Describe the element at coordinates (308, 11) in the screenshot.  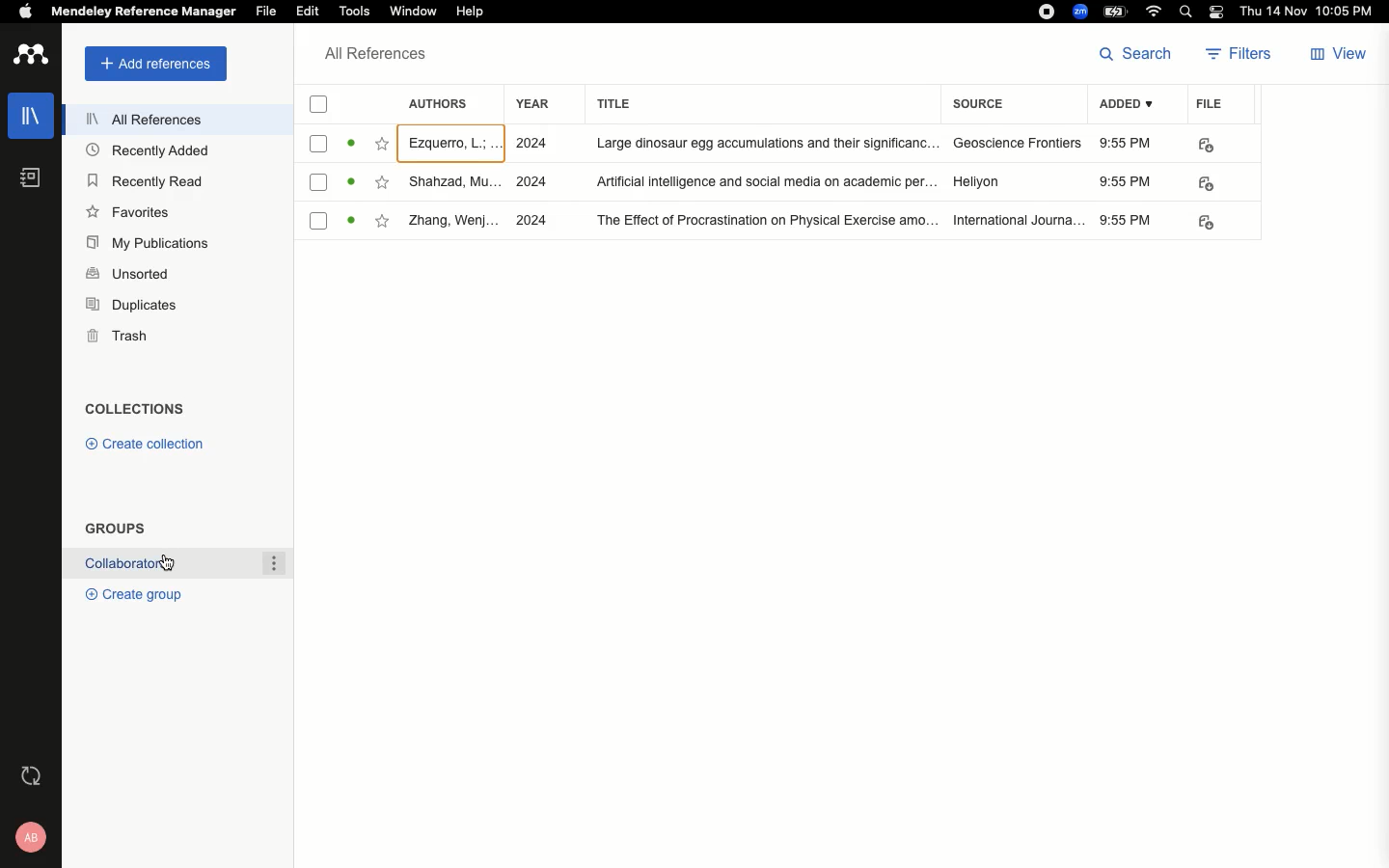
I see `Edit` at that location.